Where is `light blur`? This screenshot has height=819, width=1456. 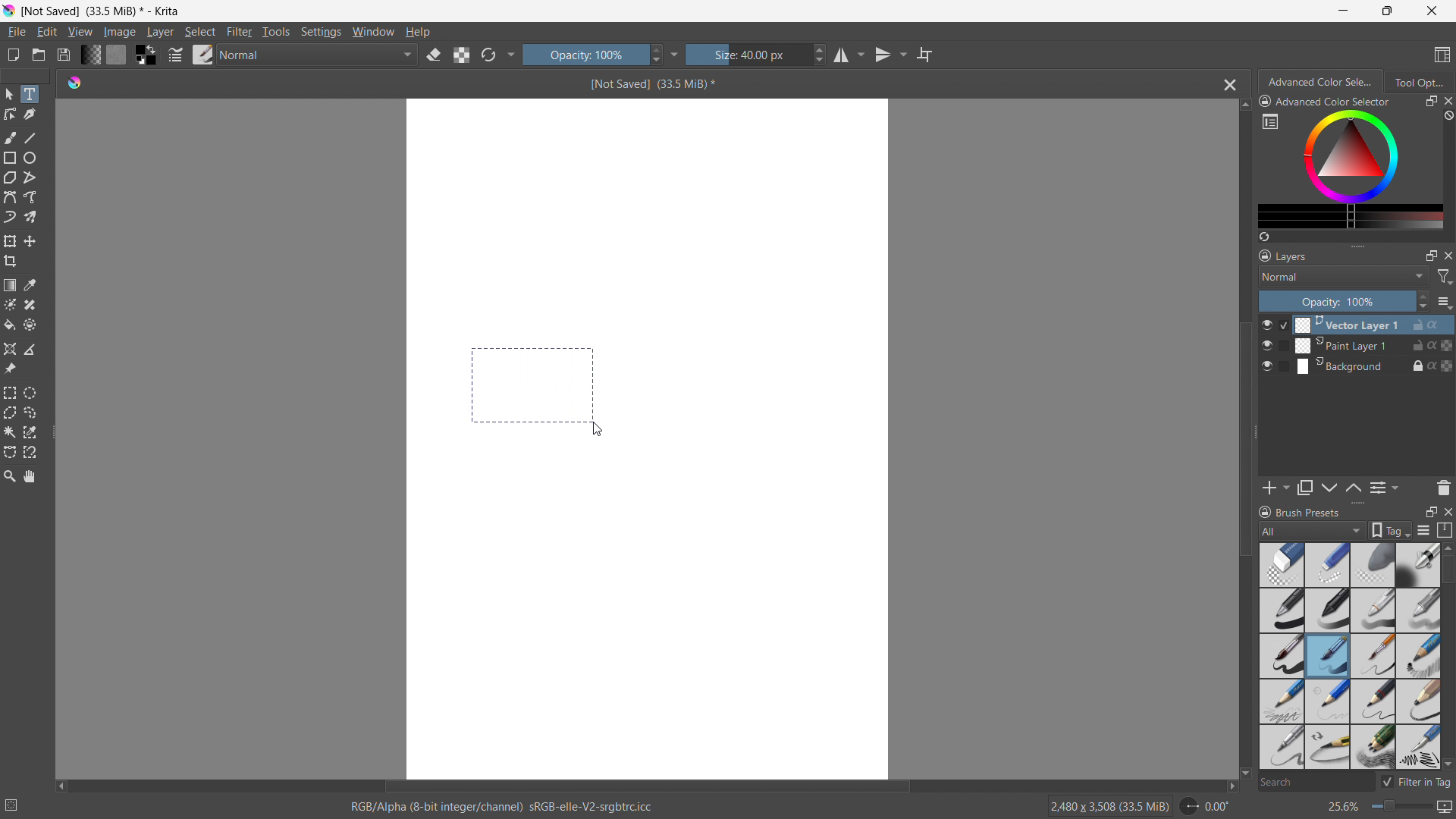
light blur is located at coordinates (1327, 565).